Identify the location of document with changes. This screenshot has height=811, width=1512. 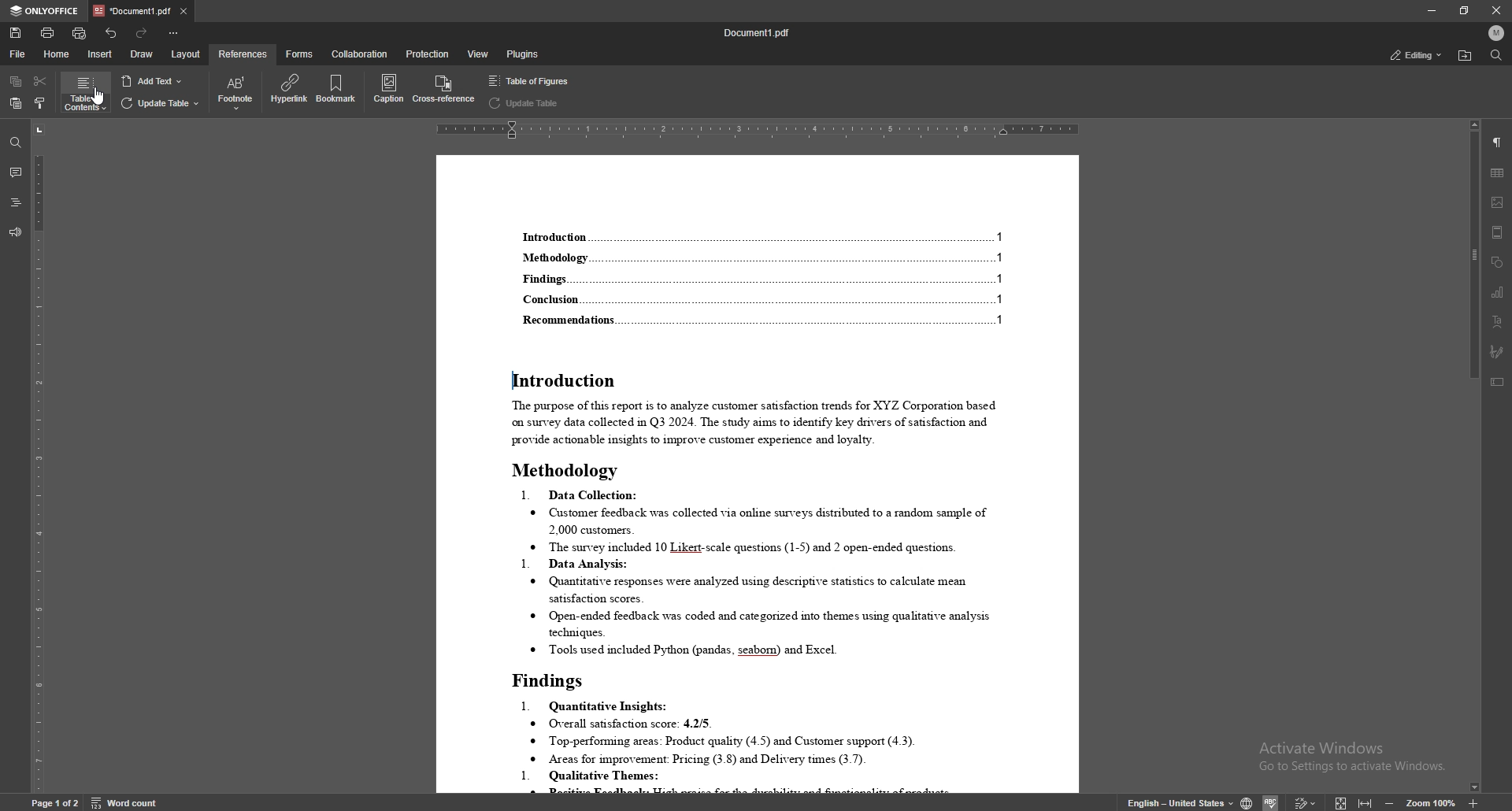
(756, 474).